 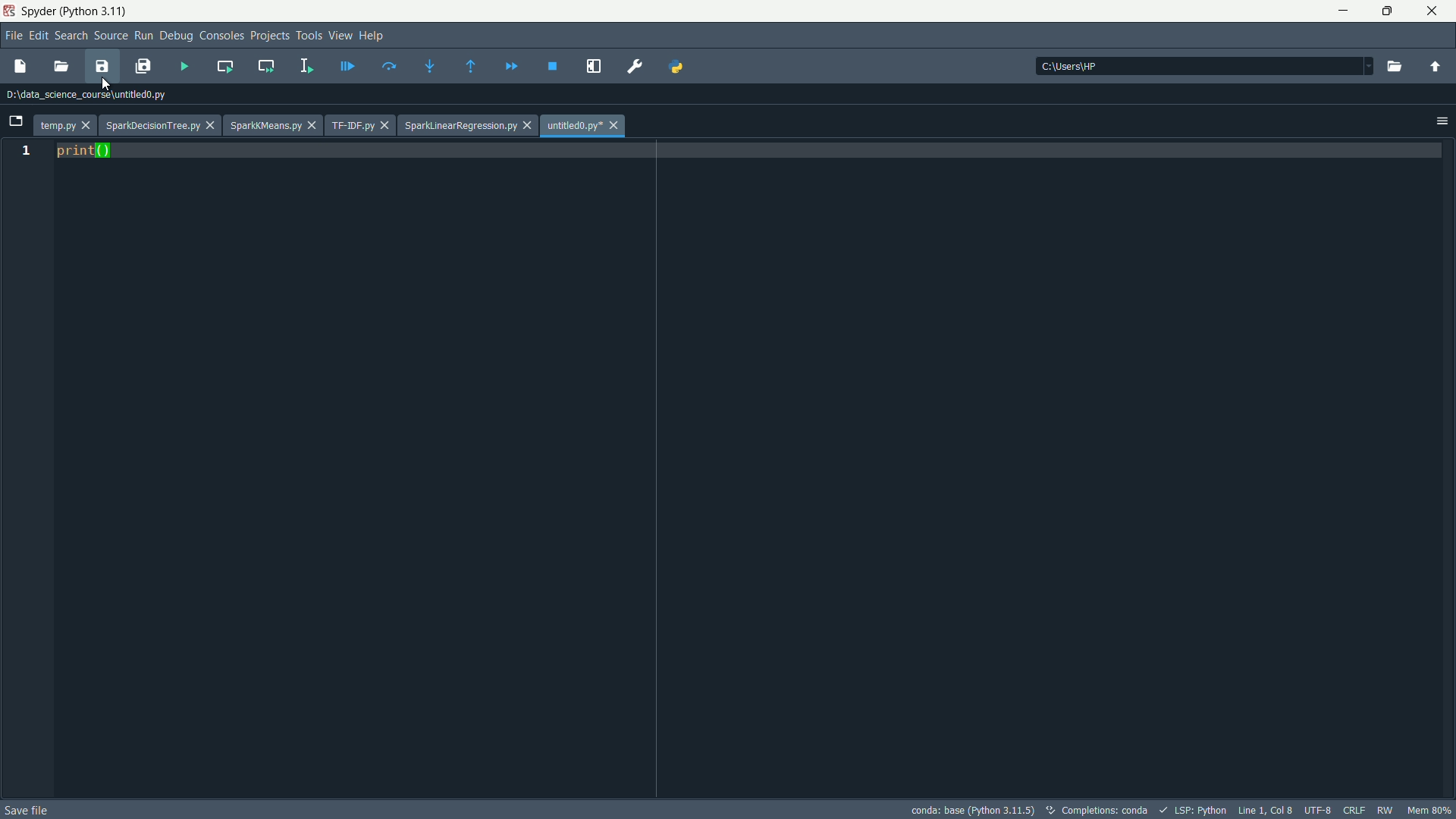 What do you see at coordinates (111, 37) in the screenshot?
I see `source` at bounding box center [111, 37].